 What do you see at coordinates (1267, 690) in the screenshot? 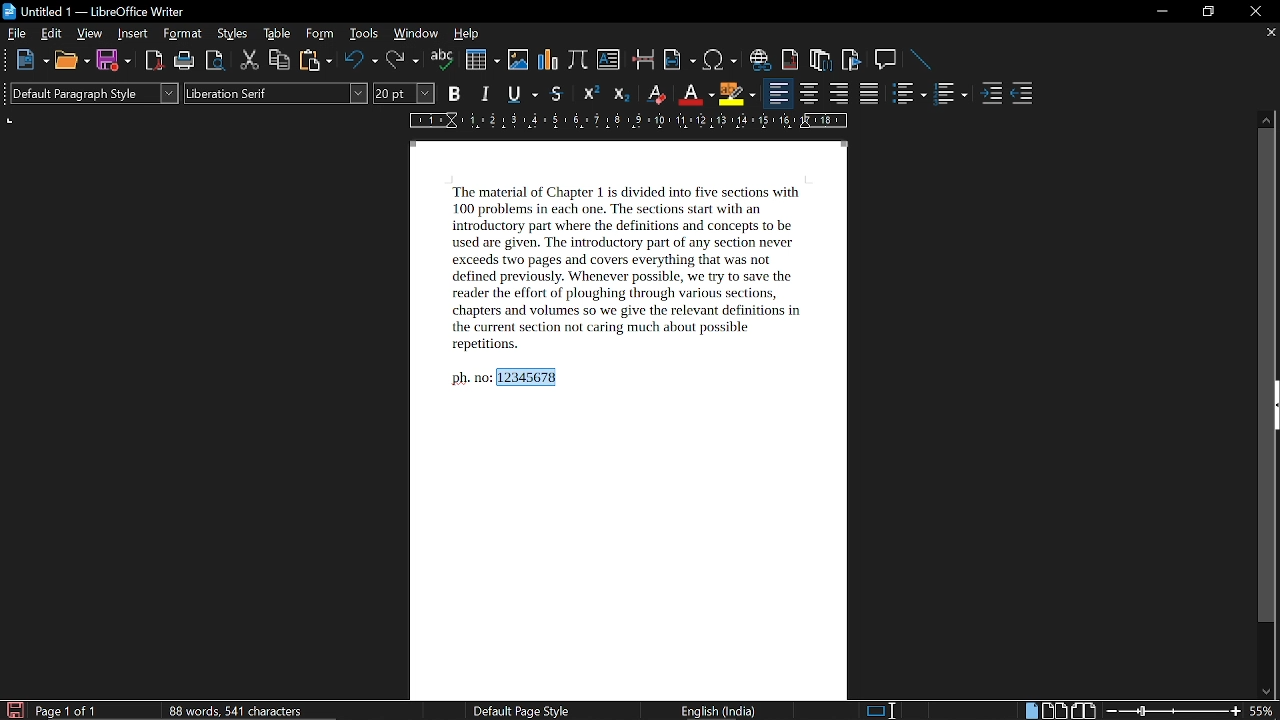
I see `move down` at bounding box center [1267, 690].